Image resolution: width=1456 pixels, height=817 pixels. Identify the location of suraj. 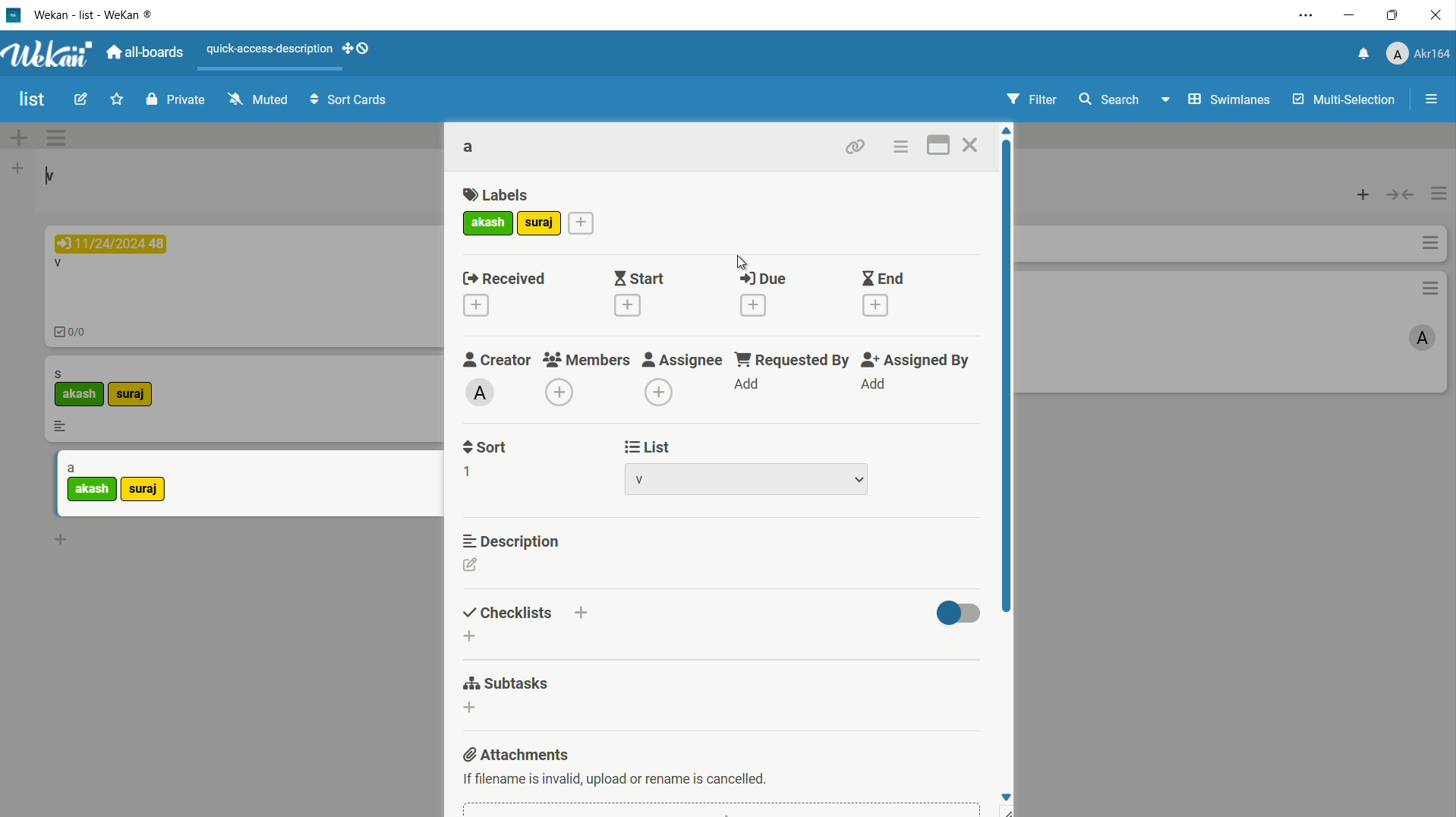
(128, 393).